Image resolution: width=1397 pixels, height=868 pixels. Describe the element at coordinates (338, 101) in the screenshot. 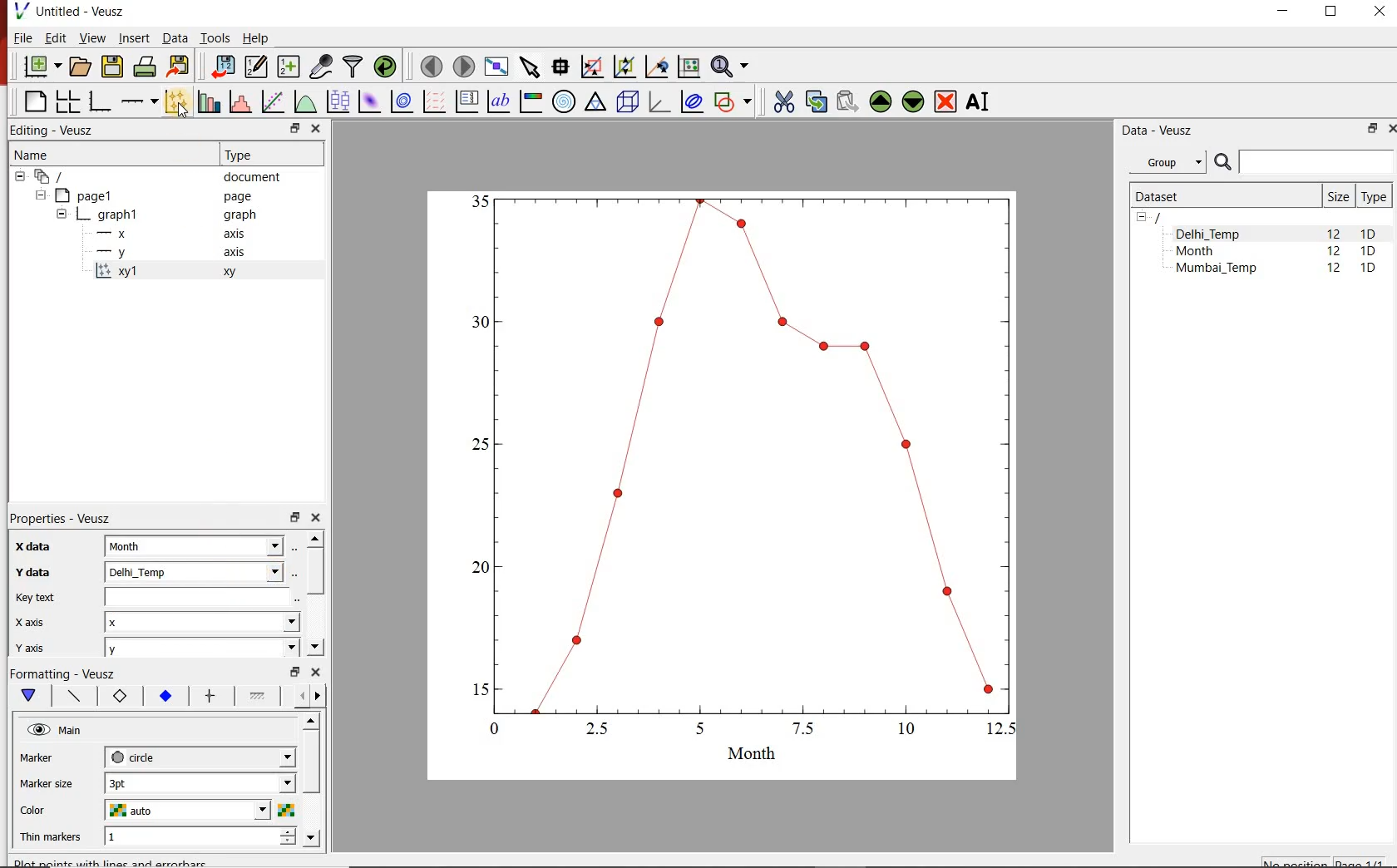

I see `plot box plots` at that location.